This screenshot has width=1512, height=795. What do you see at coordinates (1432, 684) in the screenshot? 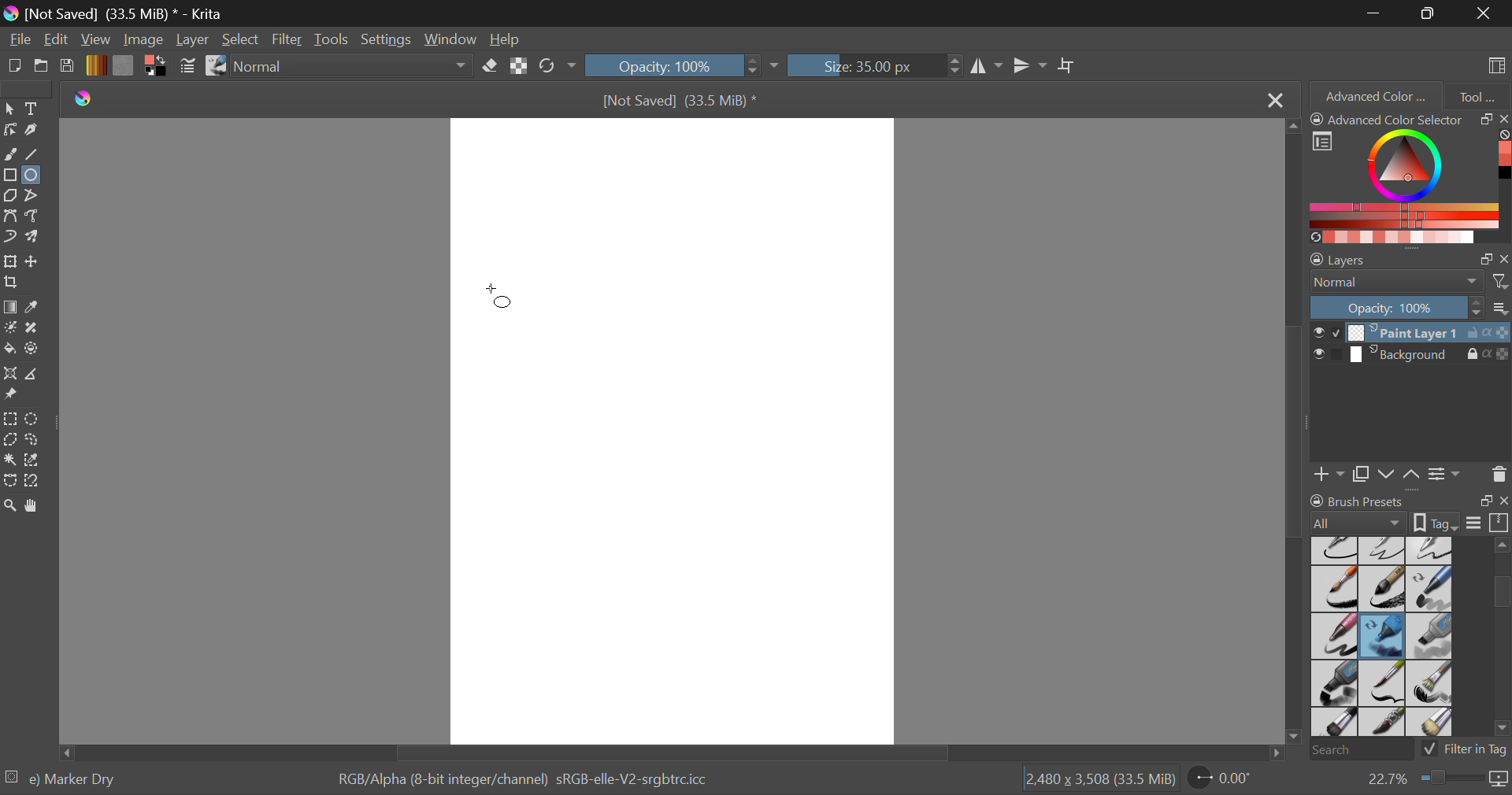
I see `Bristles-2 Flat Rough` at bounding box center [1432, 684].